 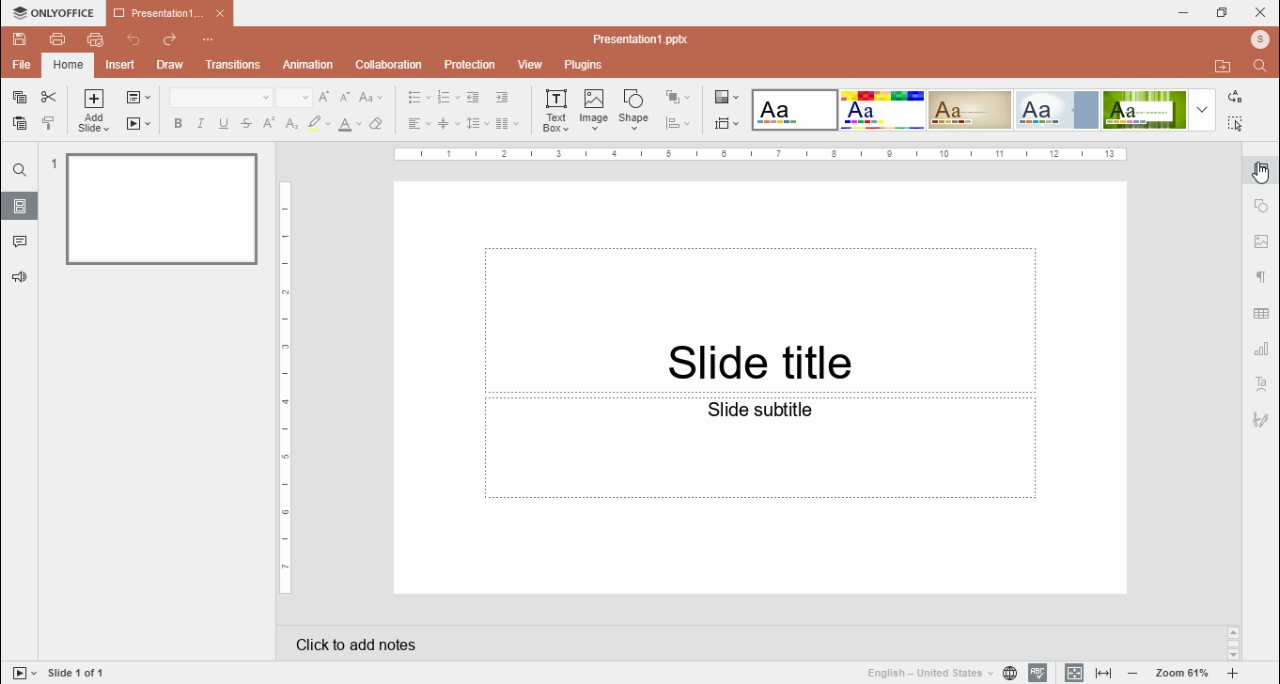 I want to click on profile, so click(x=1259, y=41).